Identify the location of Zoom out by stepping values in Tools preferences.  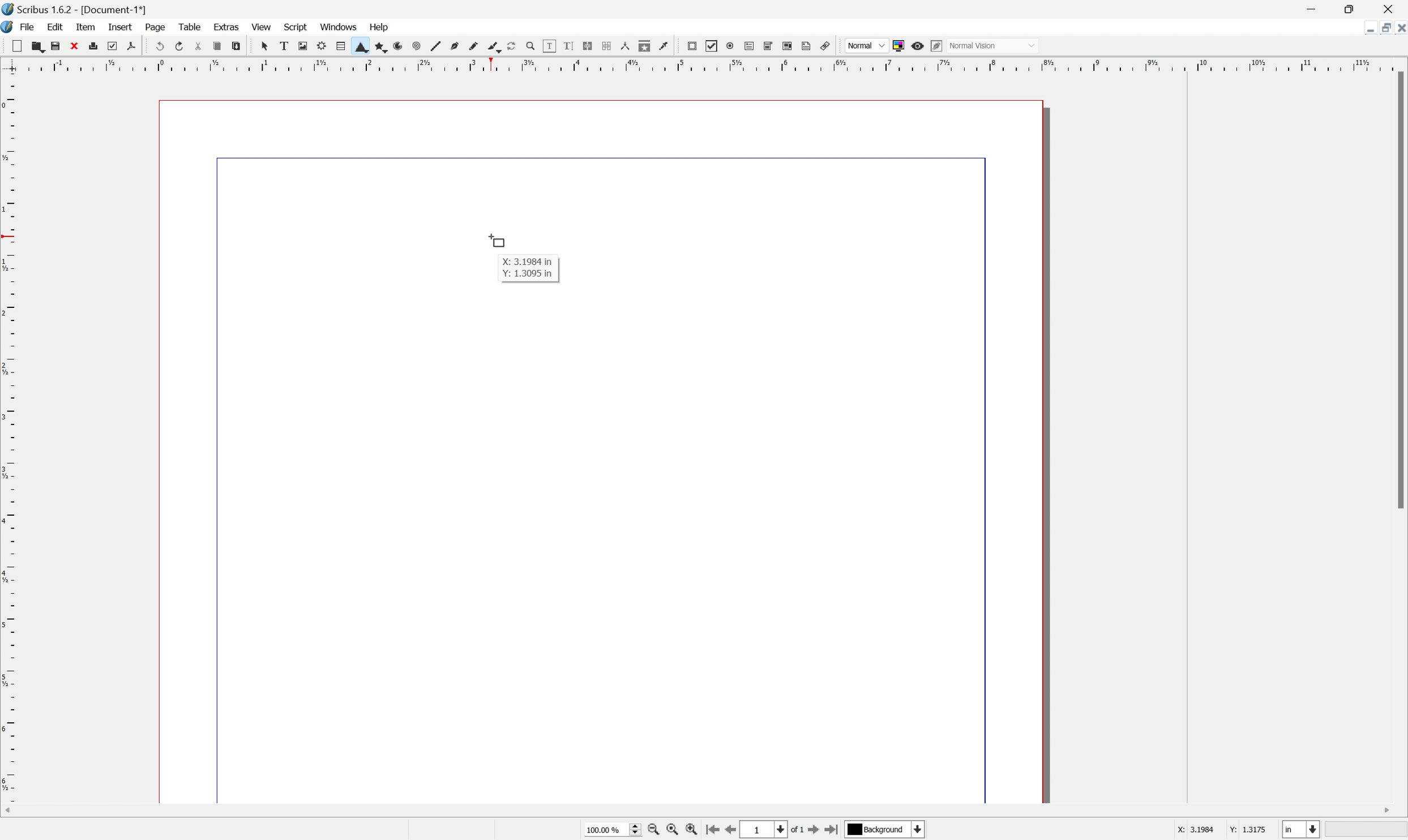
(654, 830).